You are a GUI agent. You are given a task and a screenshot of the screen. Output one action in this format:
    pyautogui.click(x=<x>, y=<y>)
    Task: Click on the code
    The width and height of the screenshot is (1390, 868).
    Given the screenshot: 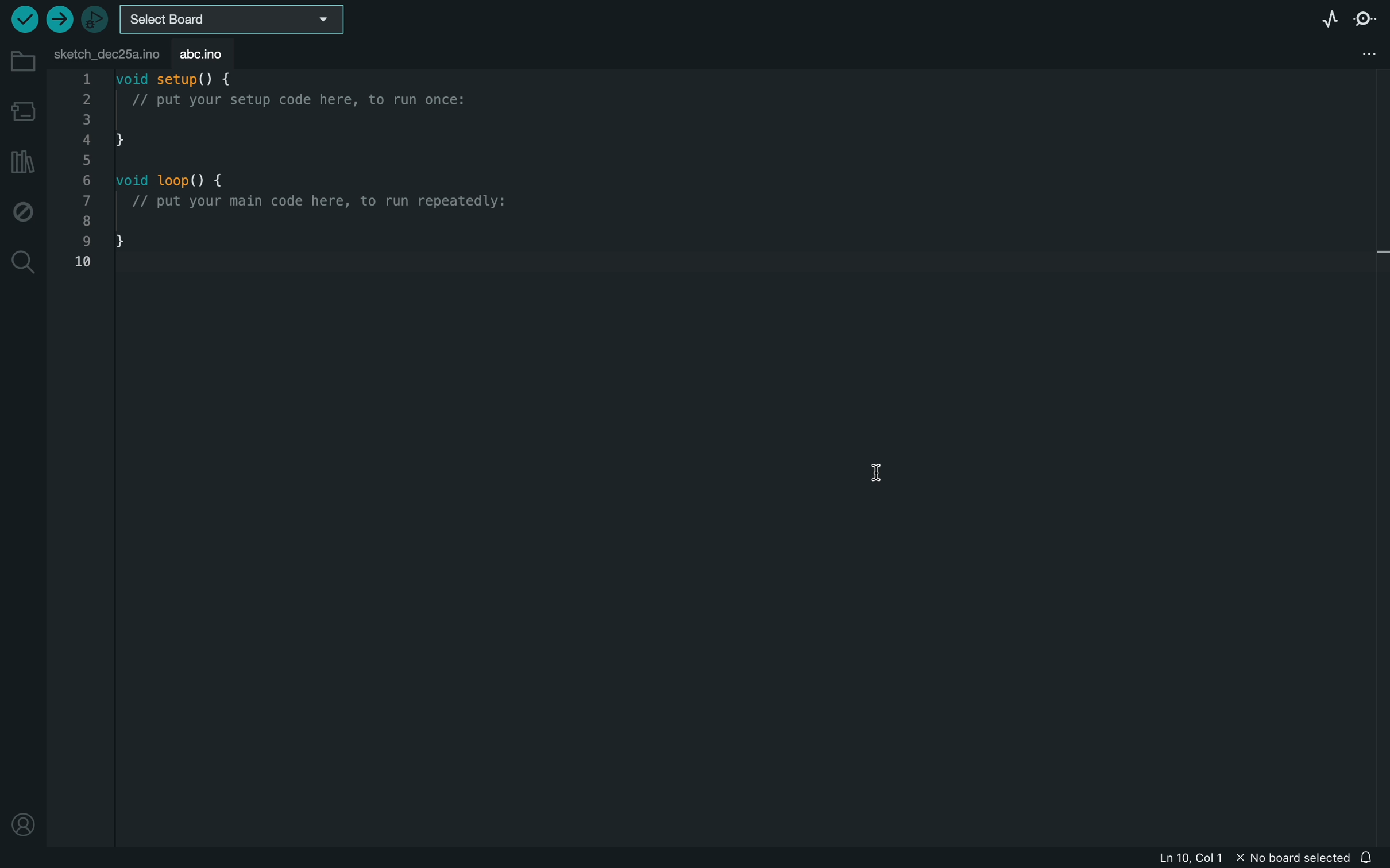 What is the action you would take?
    pyautogui.click(x=314, y=177)
    